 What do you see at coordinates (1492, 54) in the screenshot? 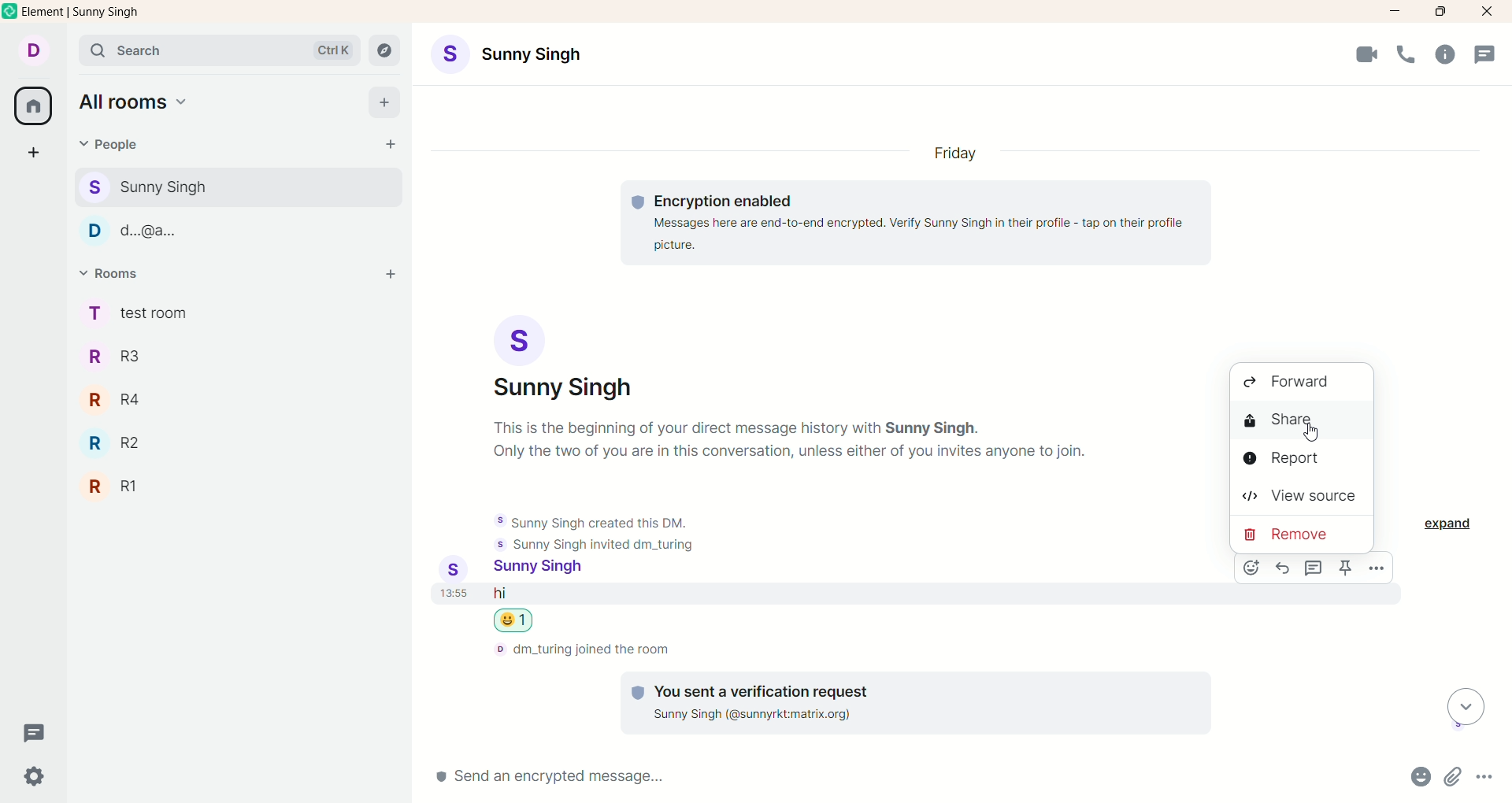
I see `threads` at bounding box center [1492, 54].